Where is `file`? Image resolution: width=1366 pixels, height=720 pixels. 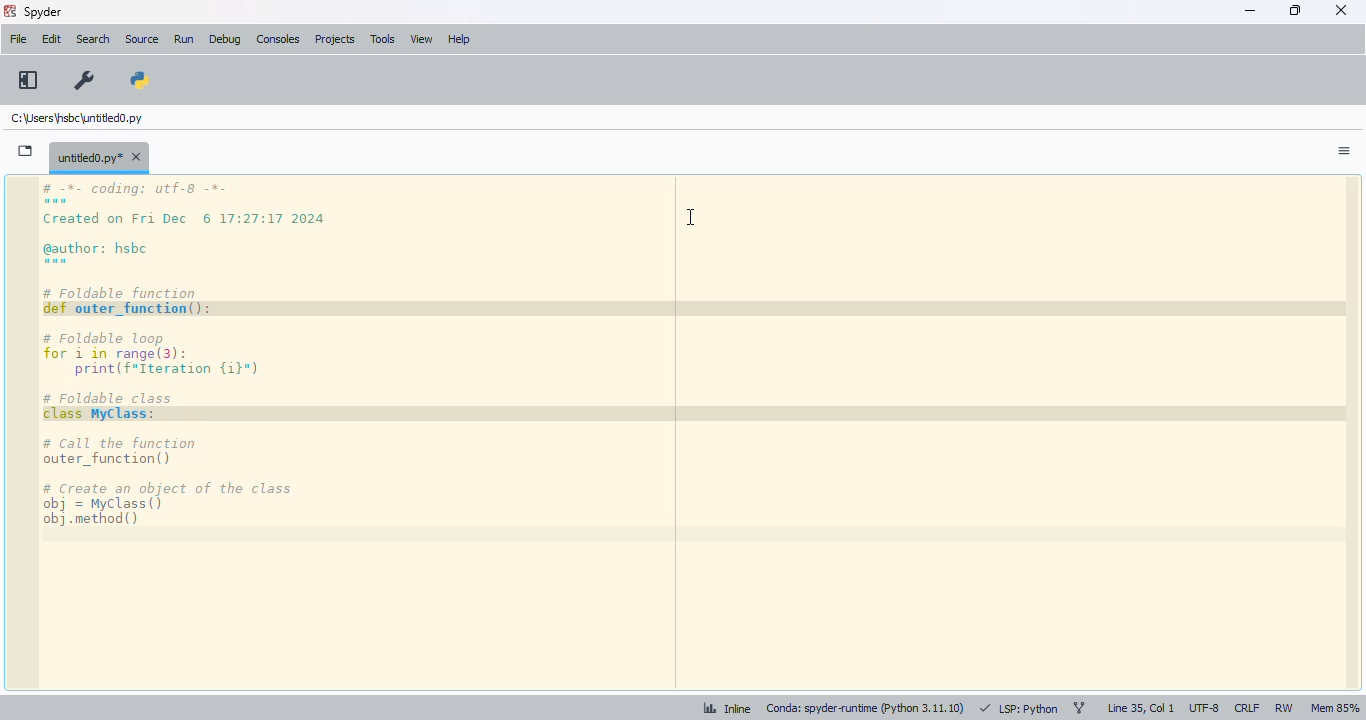 file is located at coordinates (19, 38).